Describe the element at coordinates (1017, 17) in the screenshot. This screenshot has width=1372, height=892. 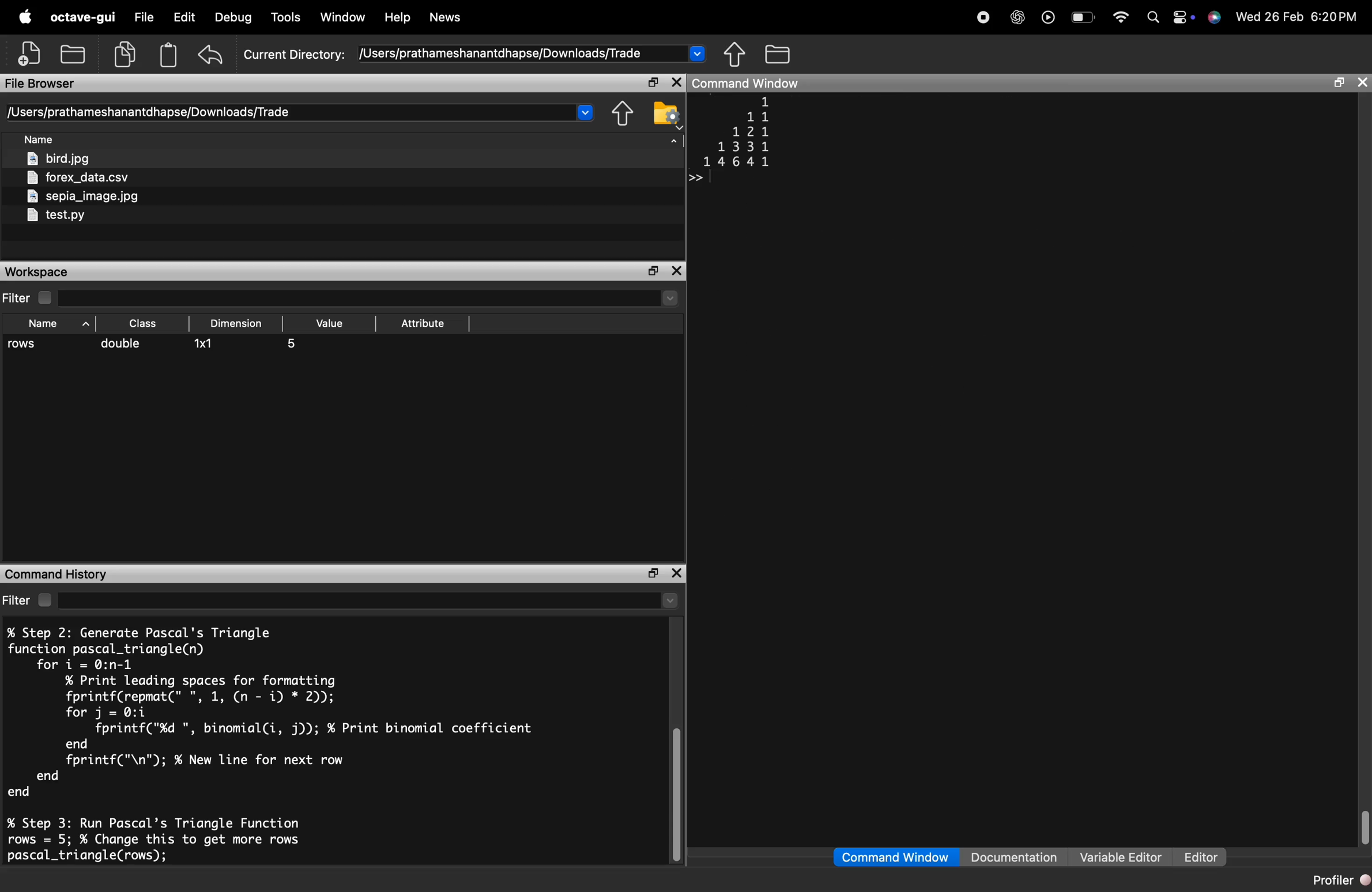
I see `chatgpt` at that location.